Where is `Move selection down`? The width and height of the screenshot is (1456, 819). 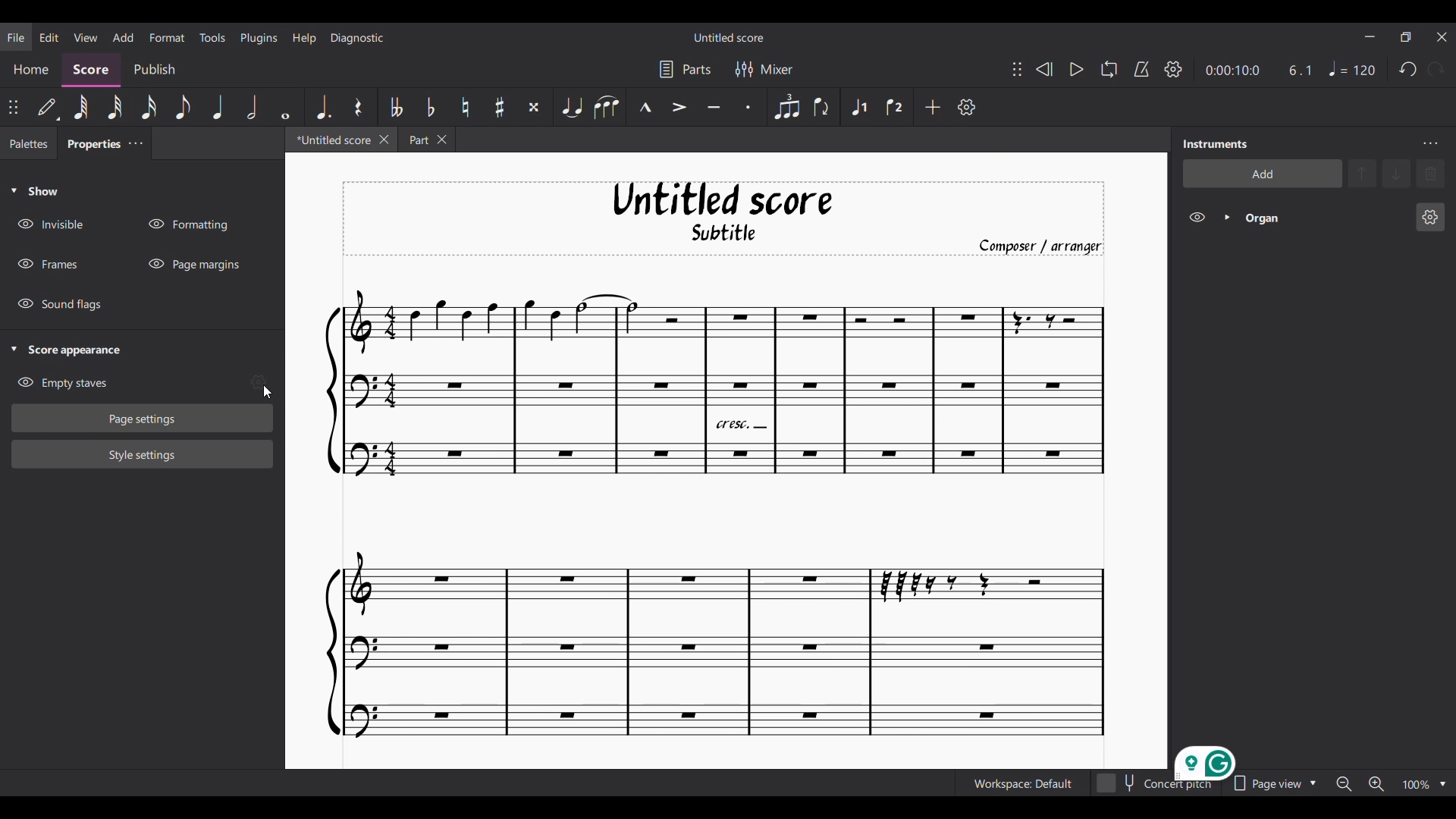 Move selection down is located at coordinates (1396, 173).